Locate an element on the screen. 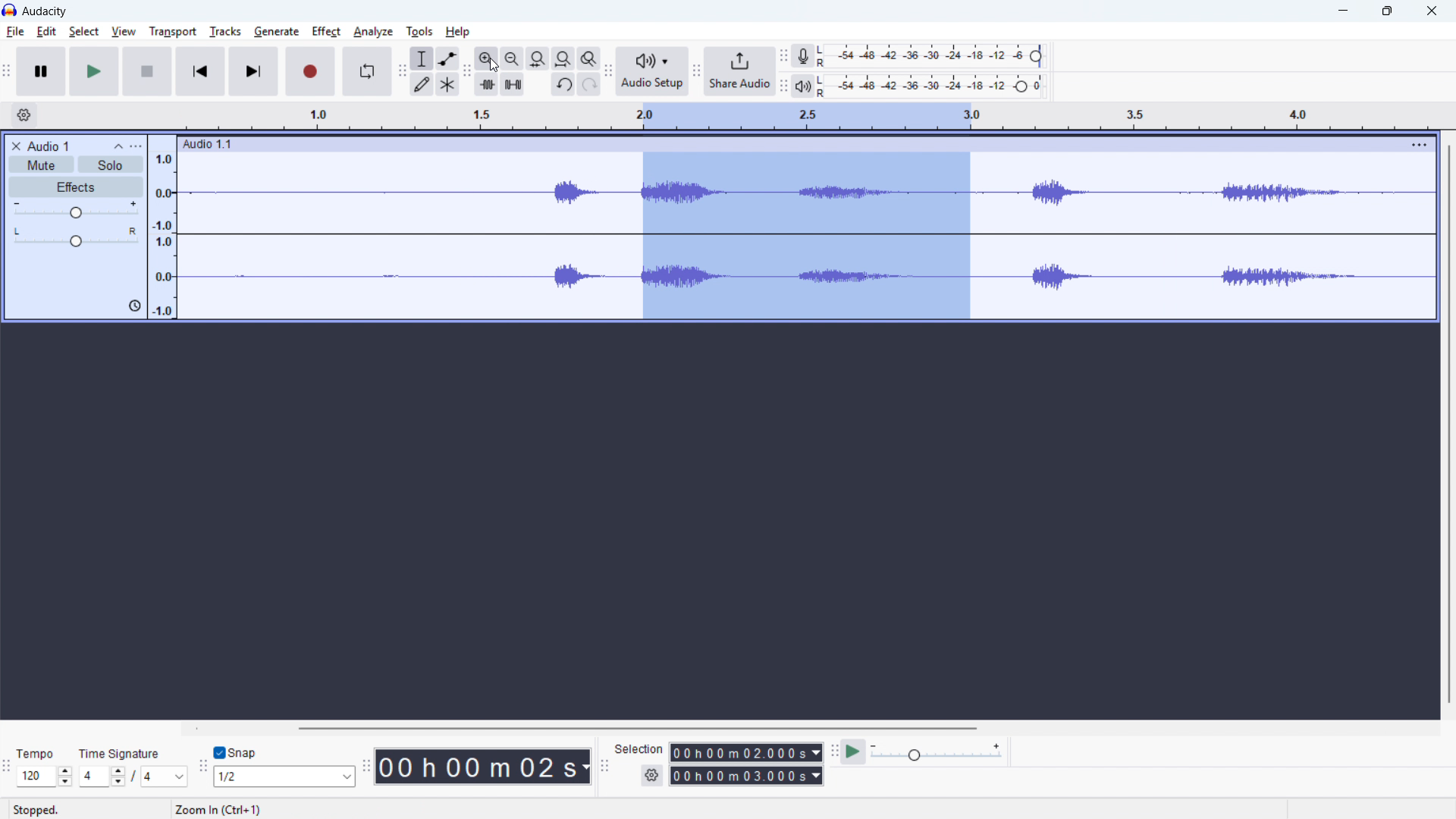 The image size is (1456, 819). Edit toolbar is located at coordinates (467, 73).